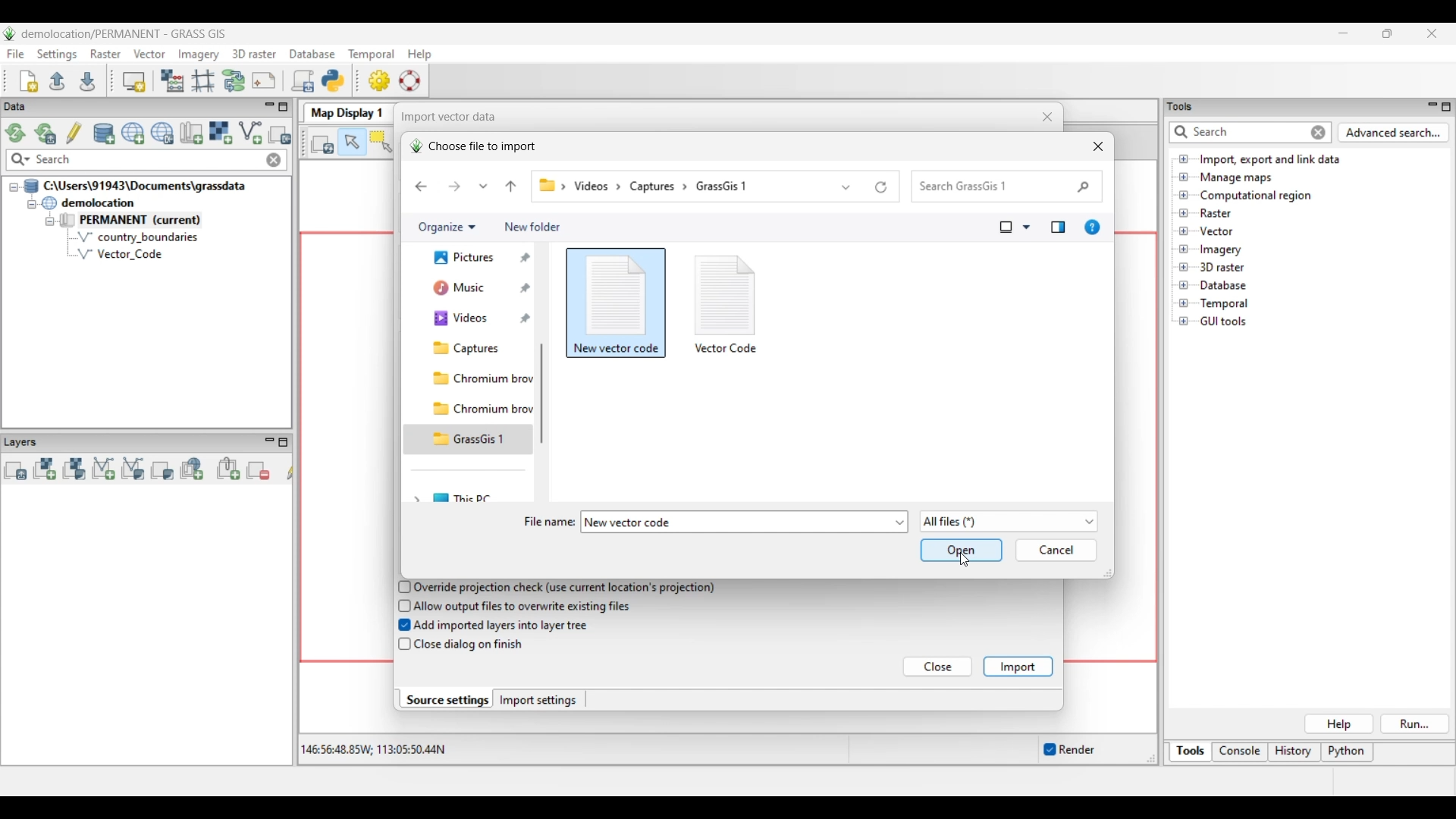  I want to click on Double click to see files under Imagery, so click(1220, 250).